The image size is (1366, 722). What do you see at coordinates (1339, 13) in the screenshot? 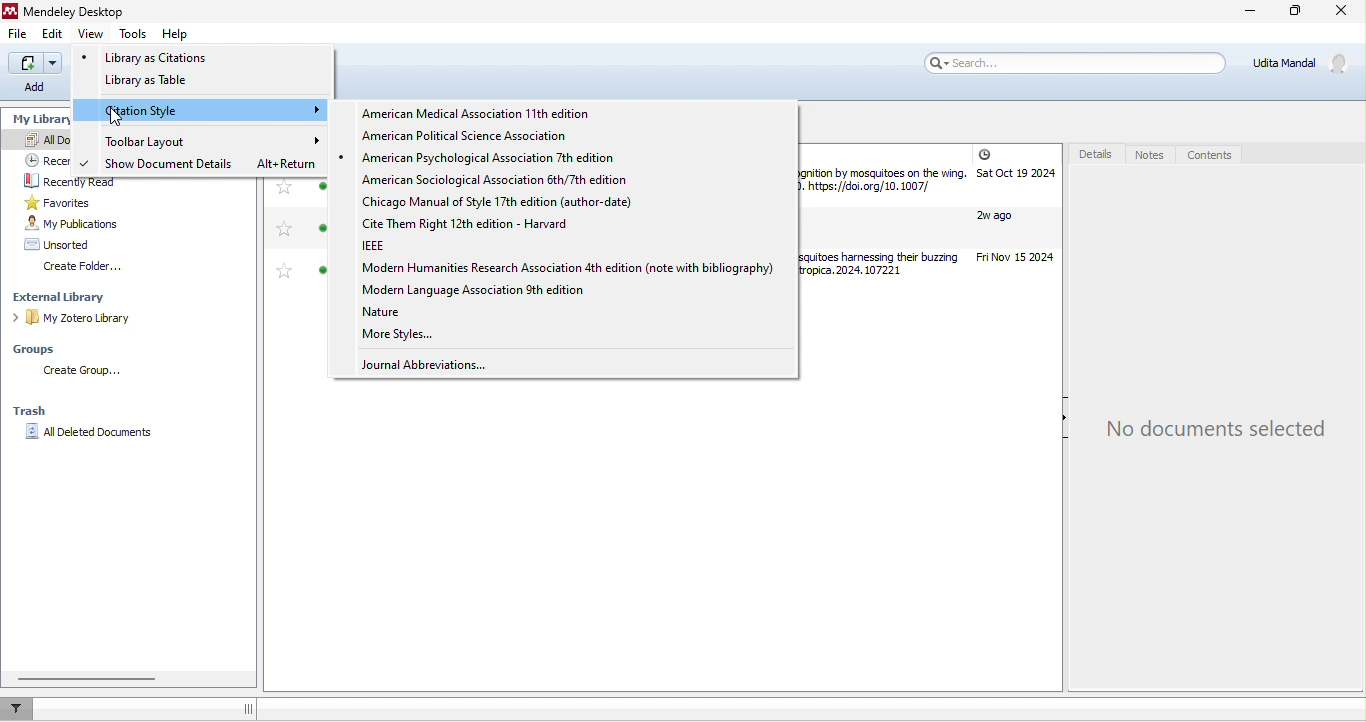
I see `close` at bounding box center [1339, 13].